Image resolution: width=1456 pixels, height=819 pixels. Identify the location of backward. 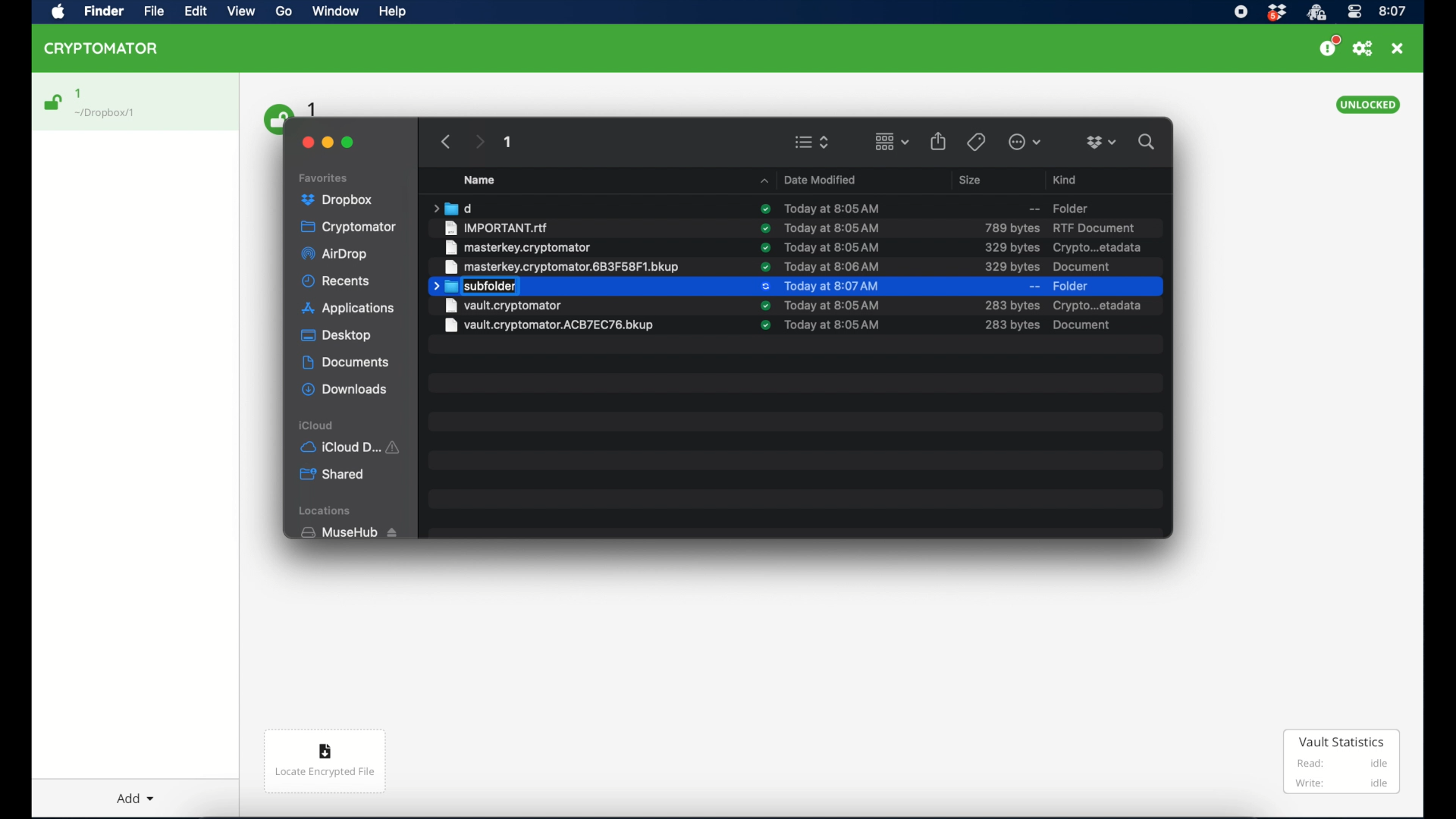
(443, 141).